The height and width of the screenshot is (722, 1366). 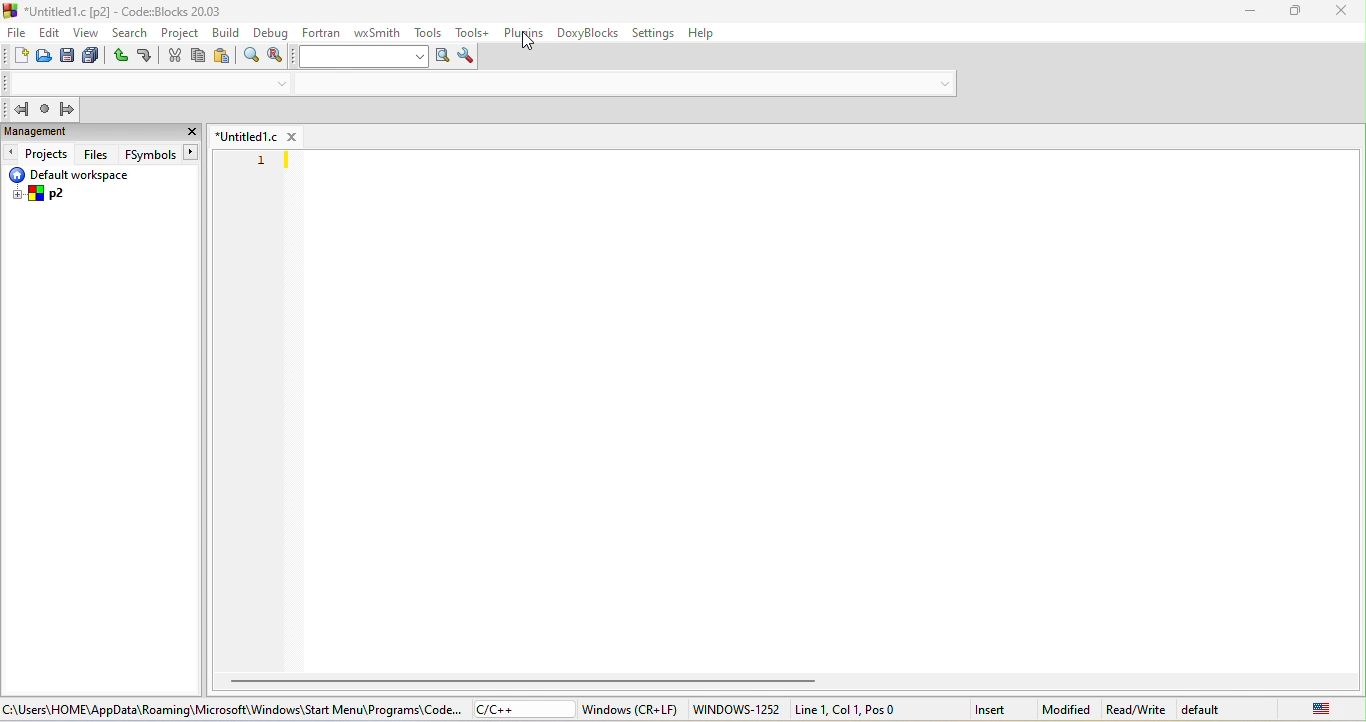 I want to click on fortran, so click(x=321, y=34).